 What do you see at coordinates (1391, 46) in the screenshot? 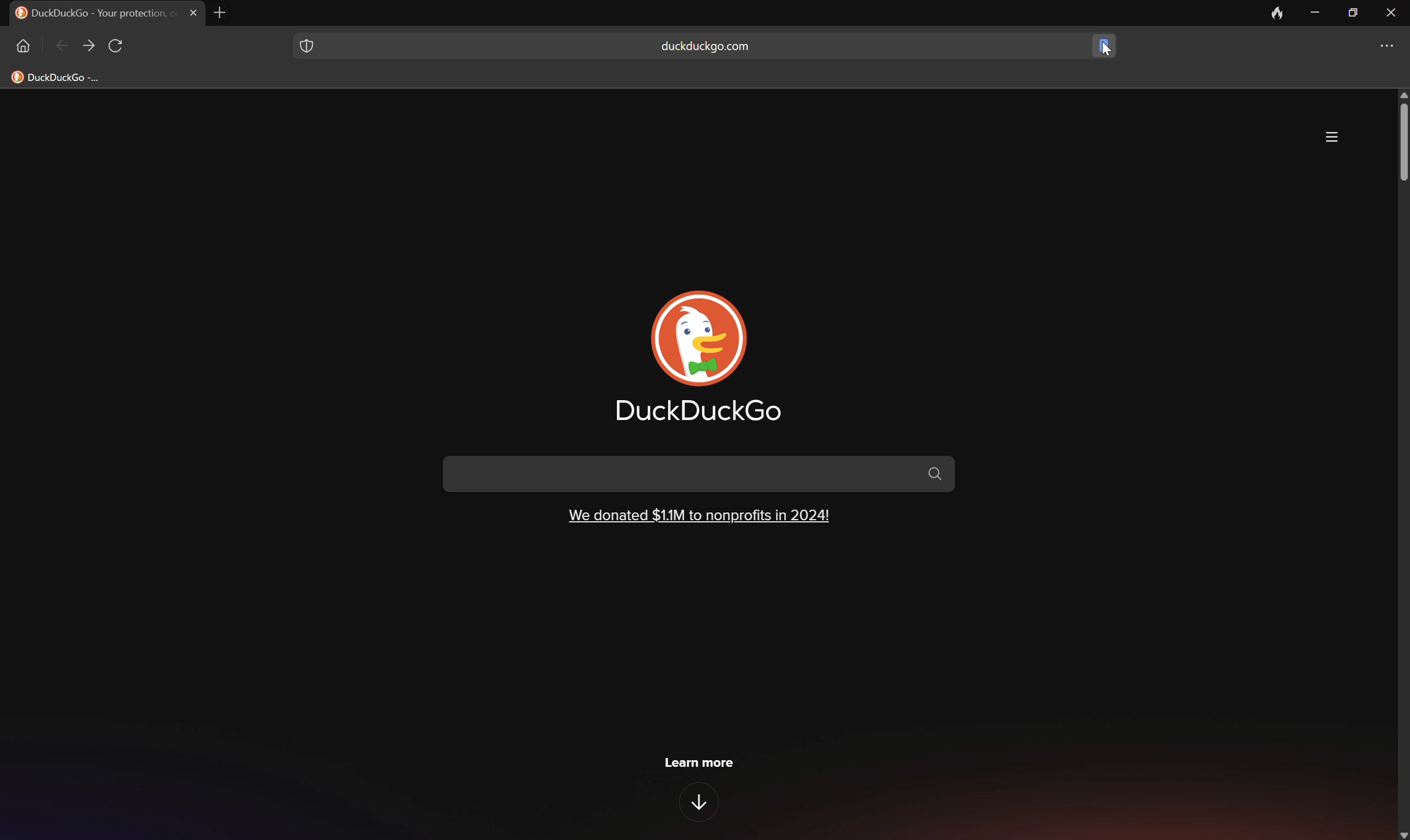
I see `More` at bounding box center [1391, 46].